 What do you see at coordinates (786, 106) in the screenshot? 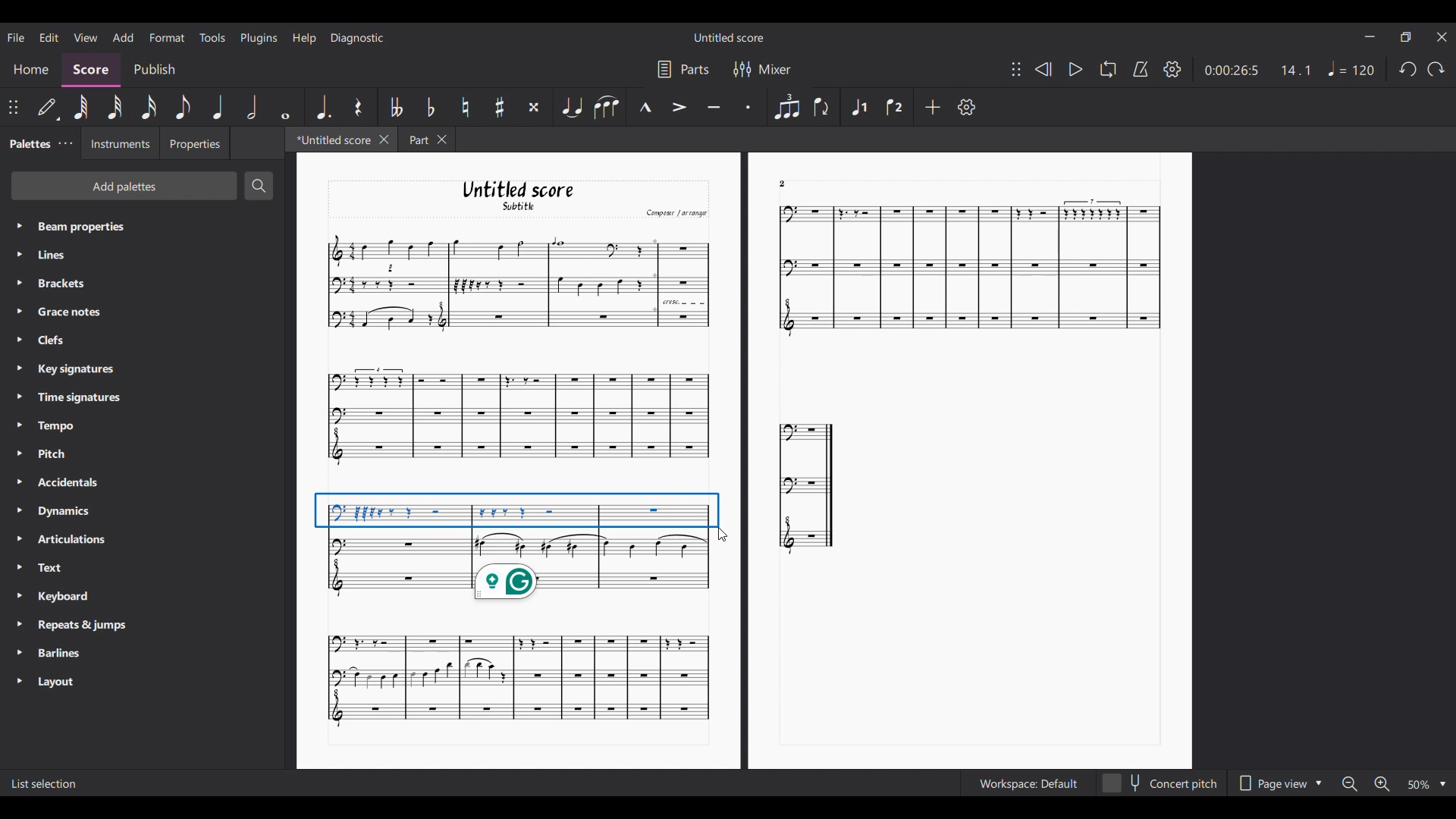
I see `Tuplet` at bounding box center [786, 106].